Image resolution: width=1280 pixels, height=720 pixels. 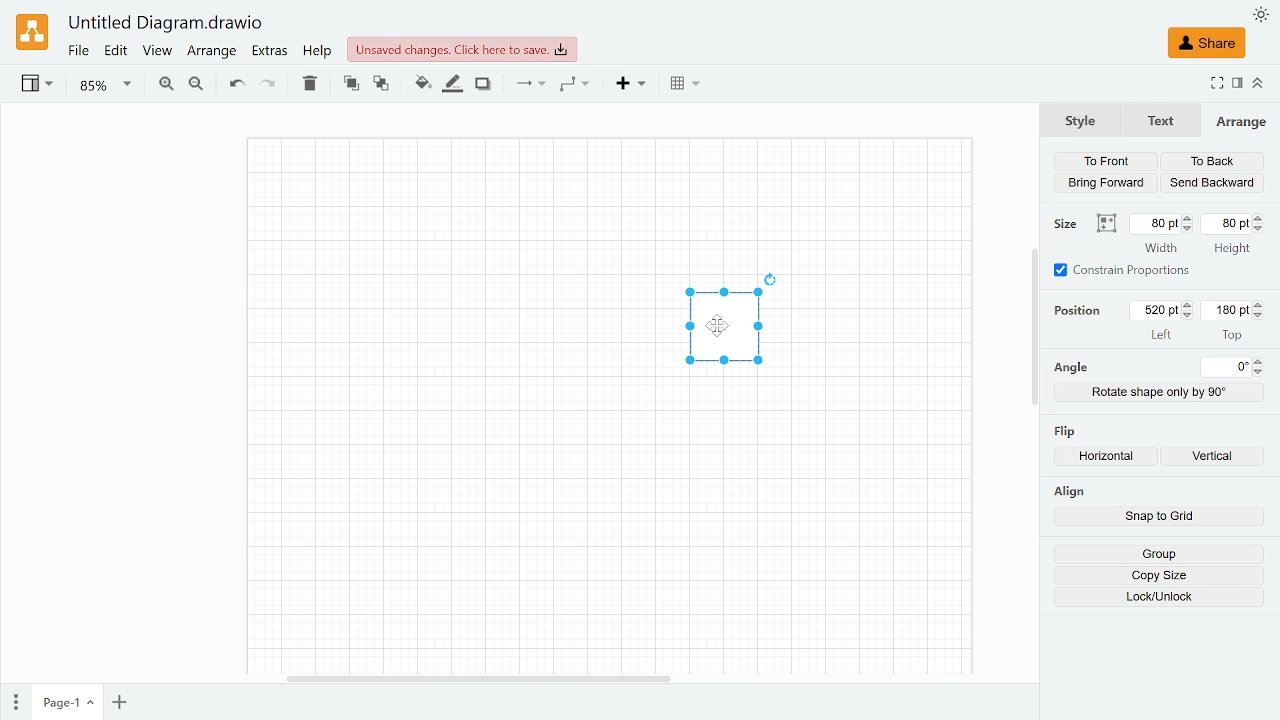 What do you see at coordinates (1190, 305) in the screenshot?
I see `Increase left` at bounding box center [1190, 305].